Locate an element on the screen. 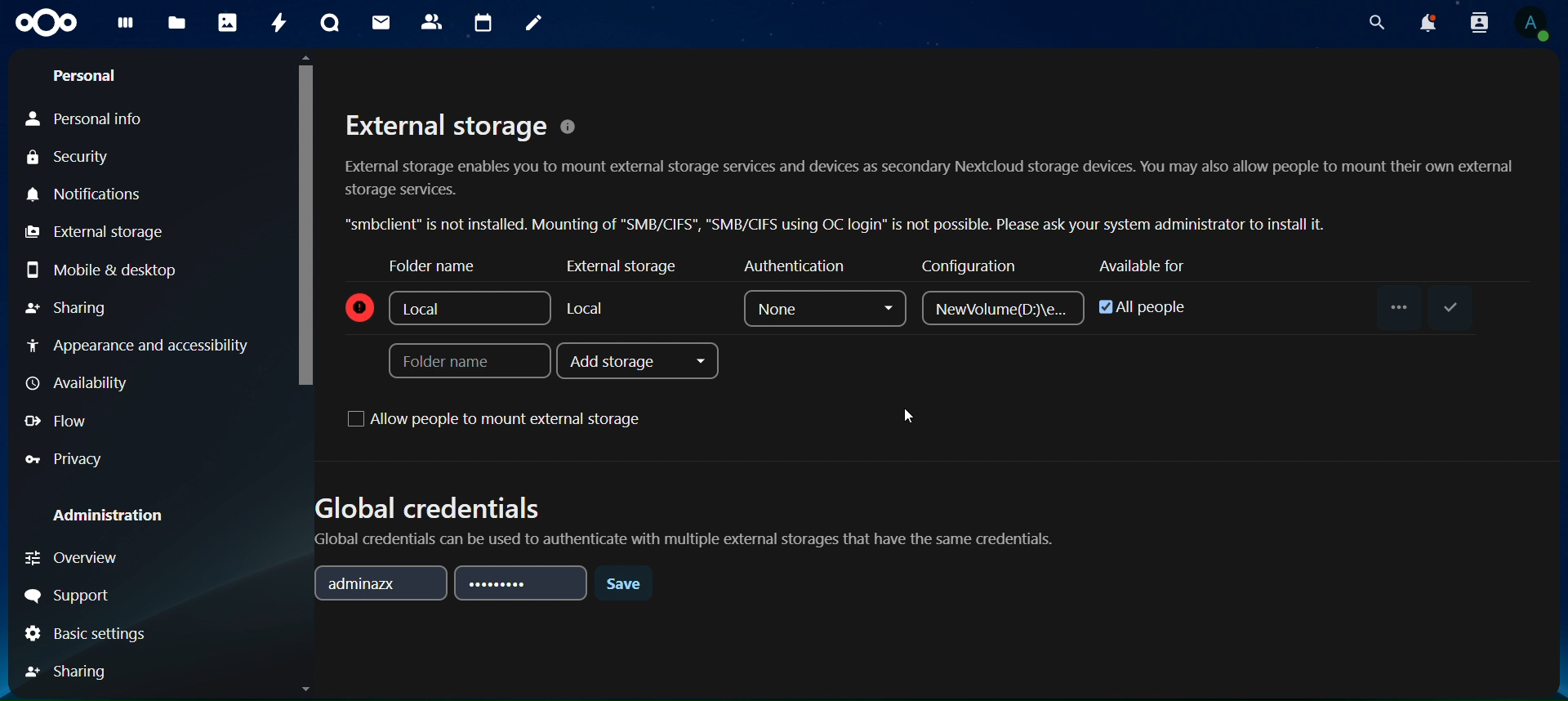 Image resolution: width=1568 pixels, height=701 pixels. talk is located at coordinates (332, 23).